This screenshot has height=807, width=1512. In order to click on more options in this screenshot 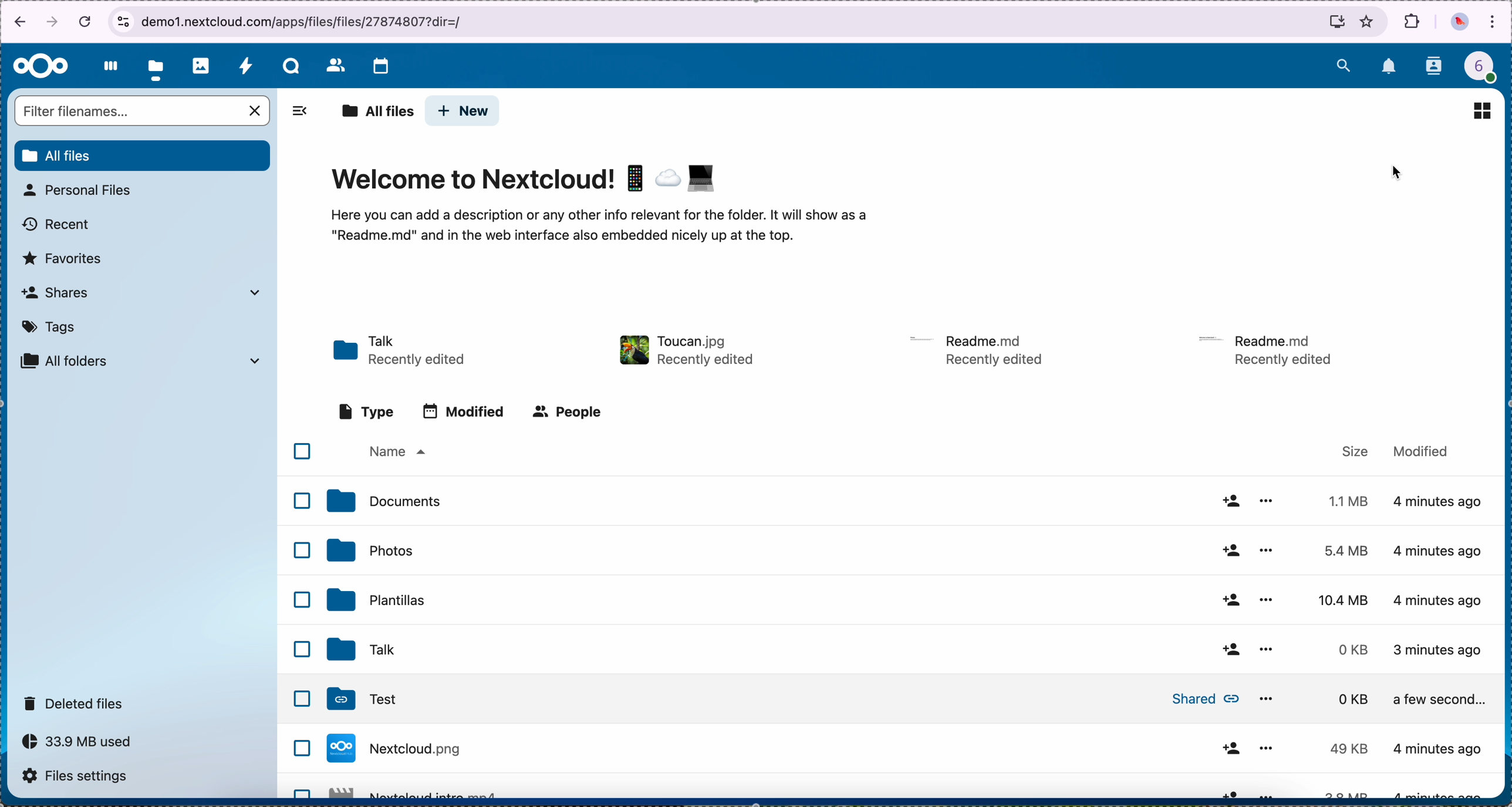, I will do `click(1268, 650)`.